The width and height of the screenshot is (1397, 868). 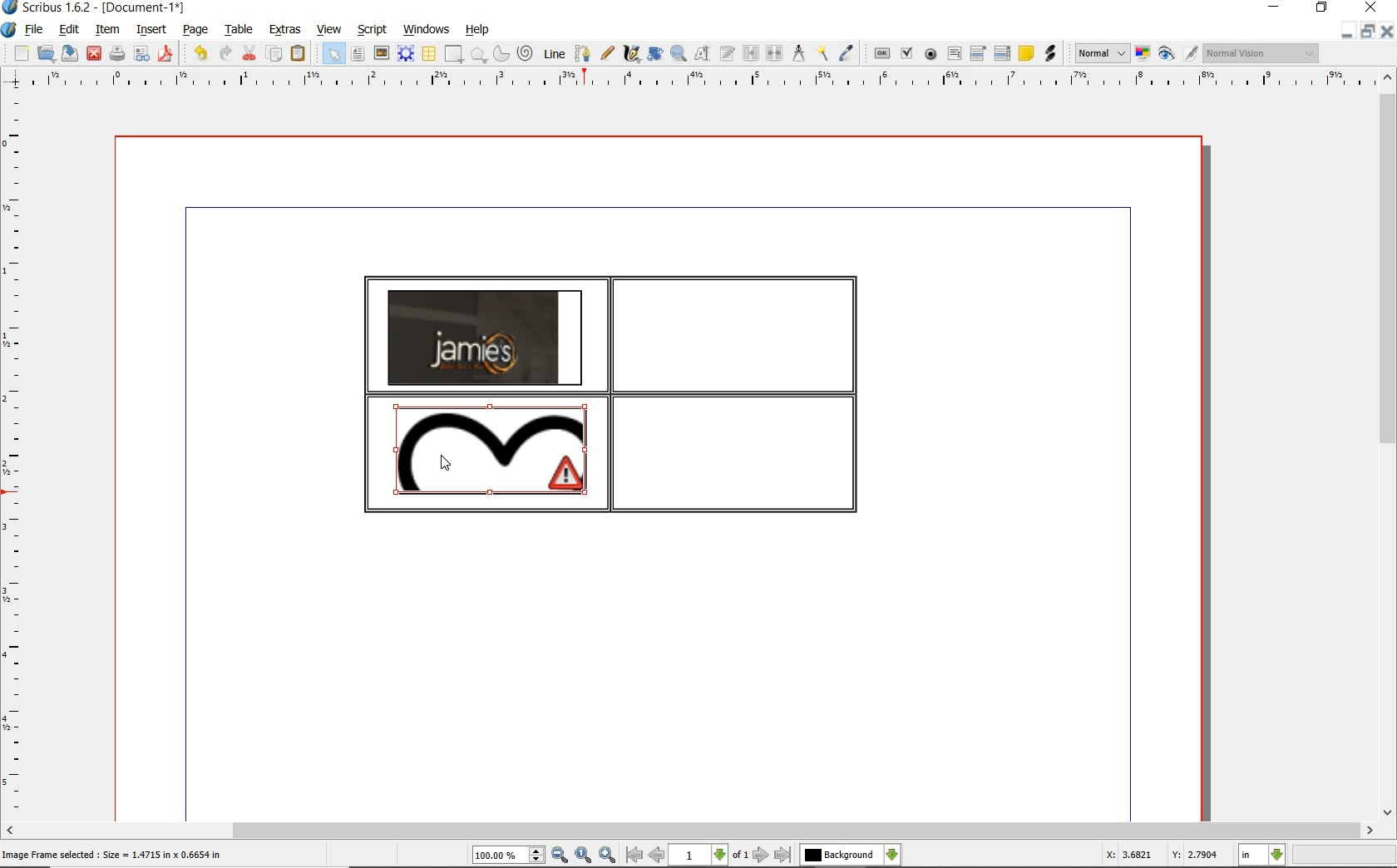 I want to click on bezier curve, so click(x=582, y=53).